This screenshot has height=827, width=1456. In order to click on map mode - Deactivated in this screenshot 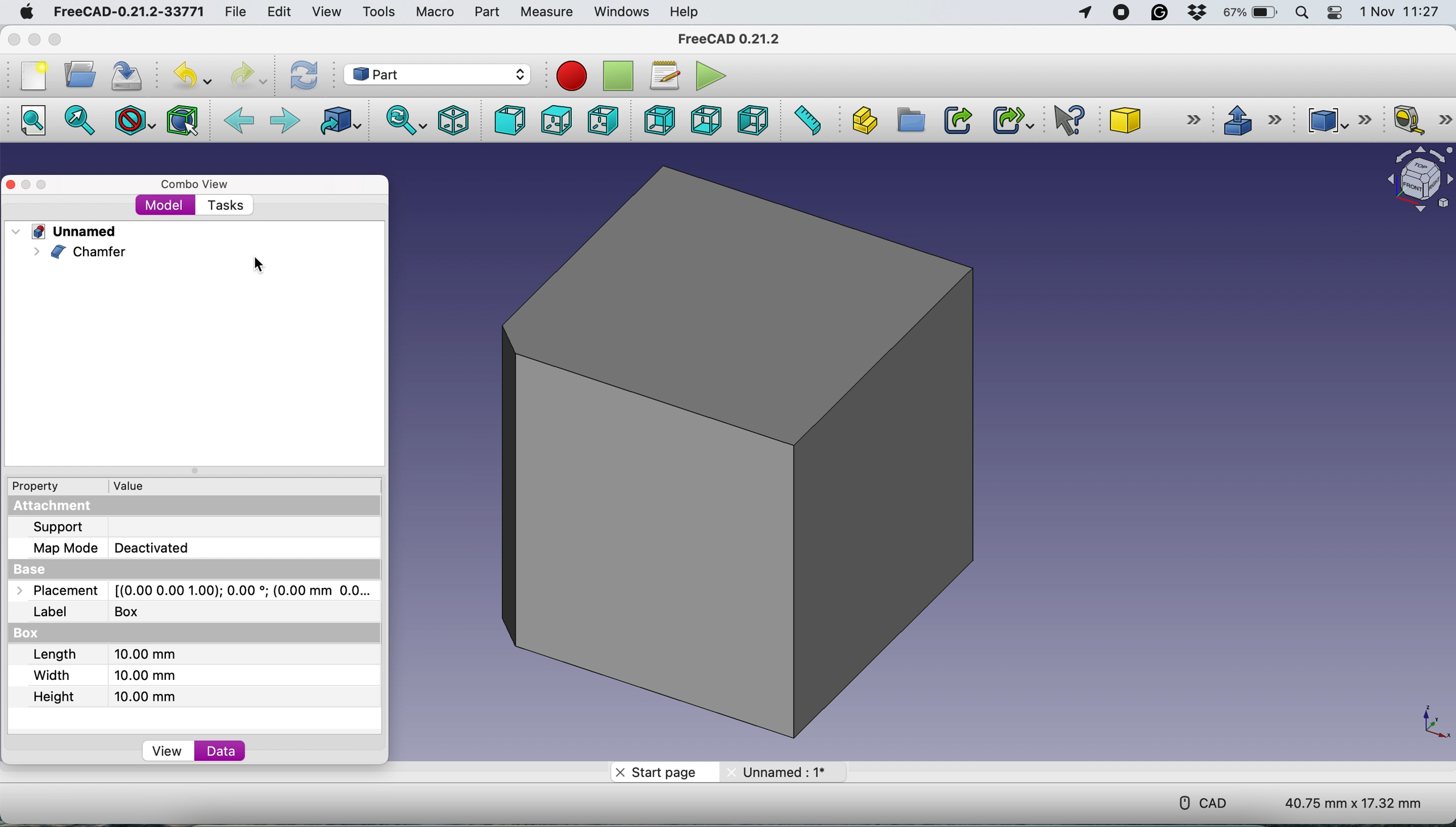, I will do `click(116, 547)`.